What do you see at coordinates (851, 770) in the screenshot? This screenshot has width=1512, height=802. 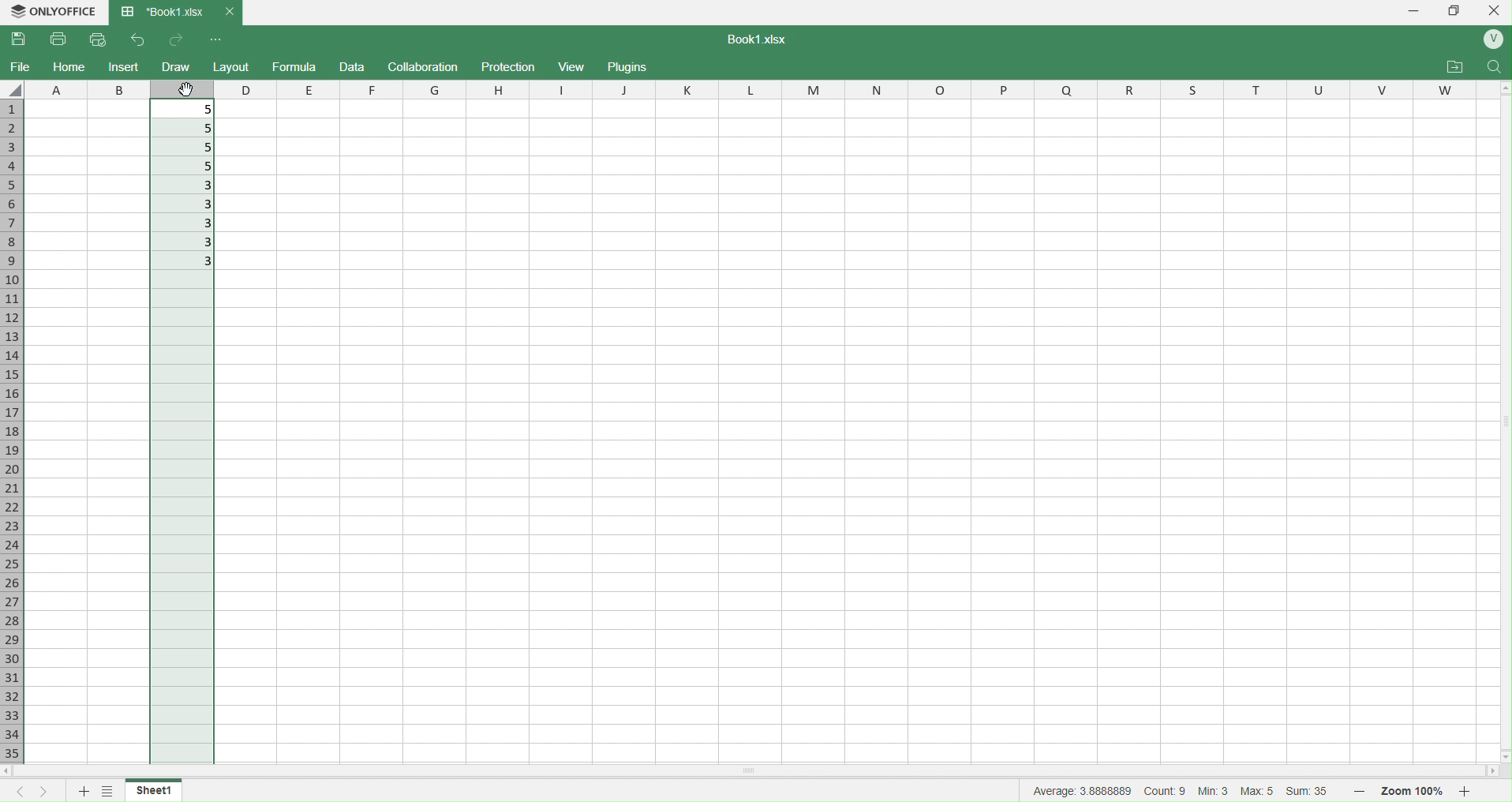 I see `Scrollbar` at bounding box center [851, 770].